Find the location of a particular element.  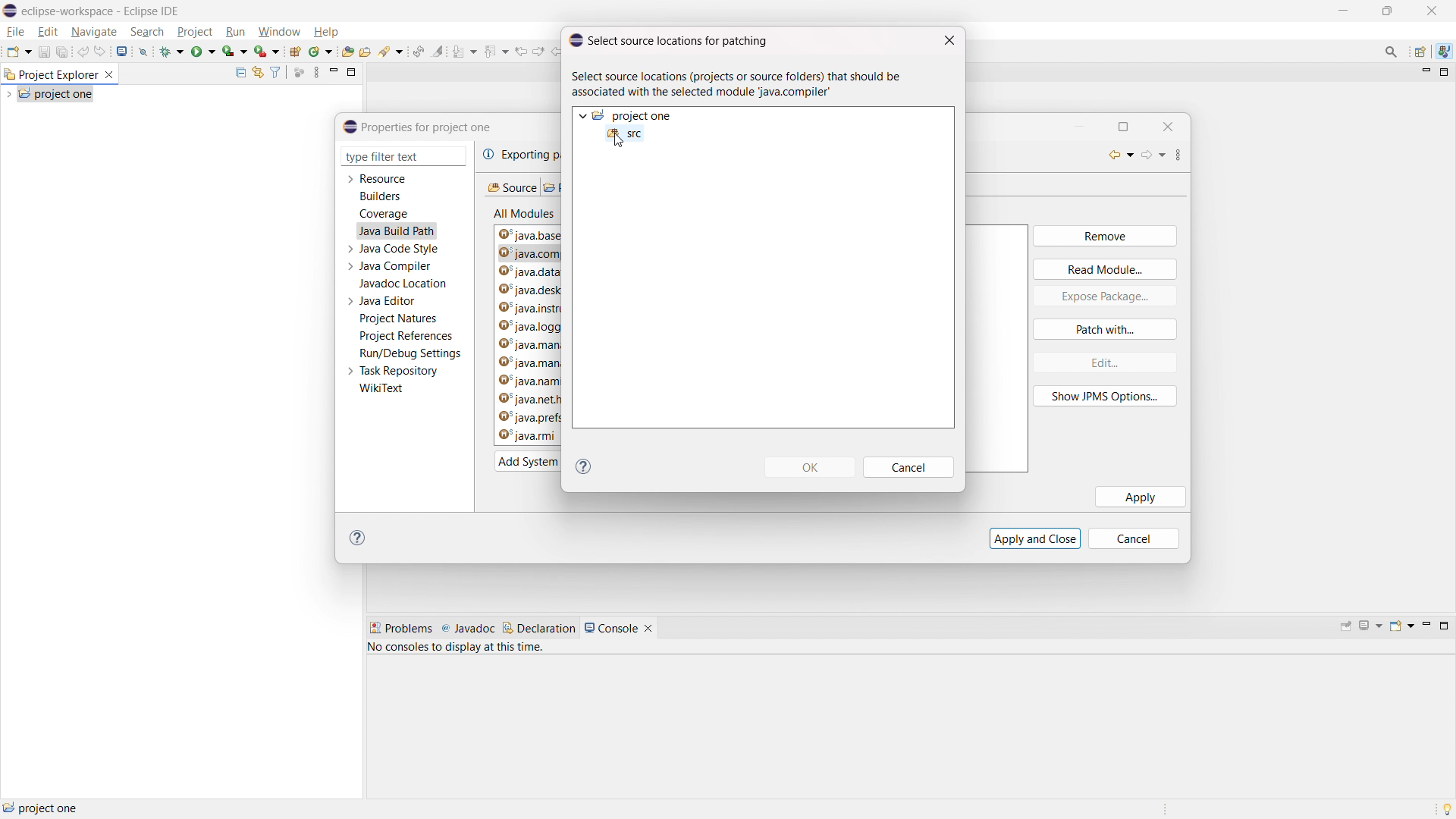

no consoles to display at this time.  is located at coordinates (459, 650).